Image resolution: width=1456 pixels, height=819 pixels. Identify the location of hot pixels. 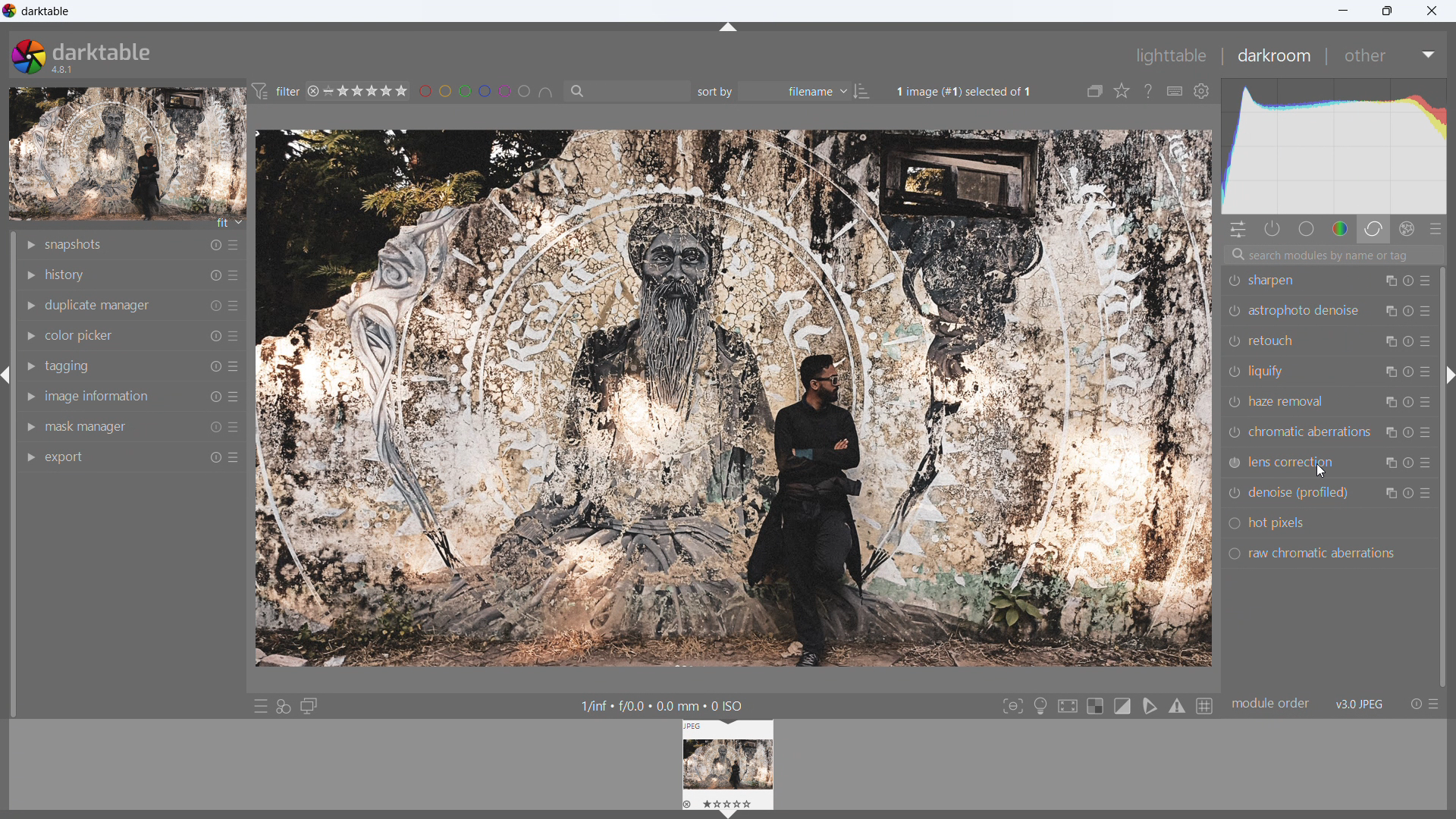
(1277, 523).